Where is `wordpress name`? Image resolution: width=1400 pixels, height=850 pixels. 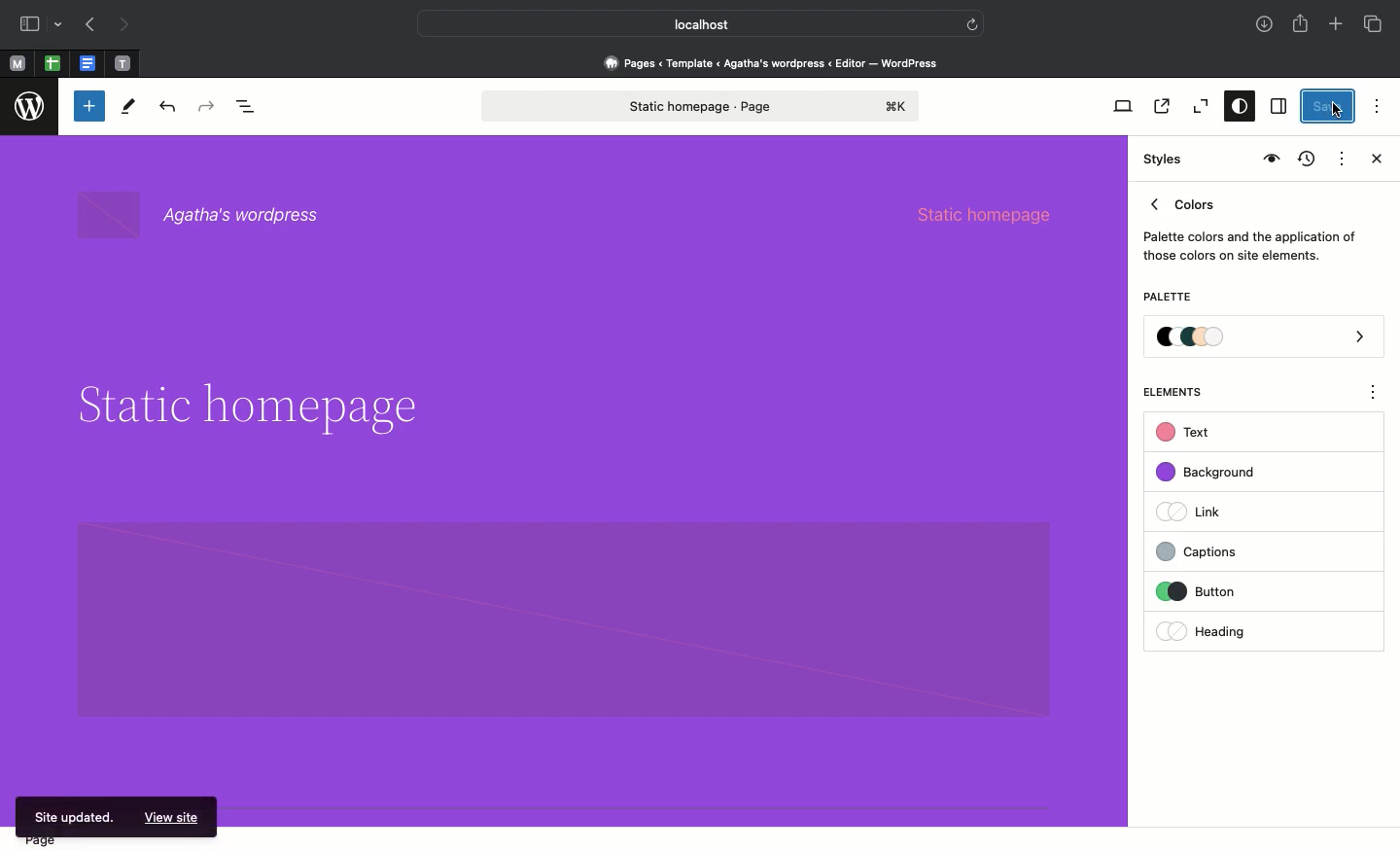 wordpress name is located at coordinates (210, 216).